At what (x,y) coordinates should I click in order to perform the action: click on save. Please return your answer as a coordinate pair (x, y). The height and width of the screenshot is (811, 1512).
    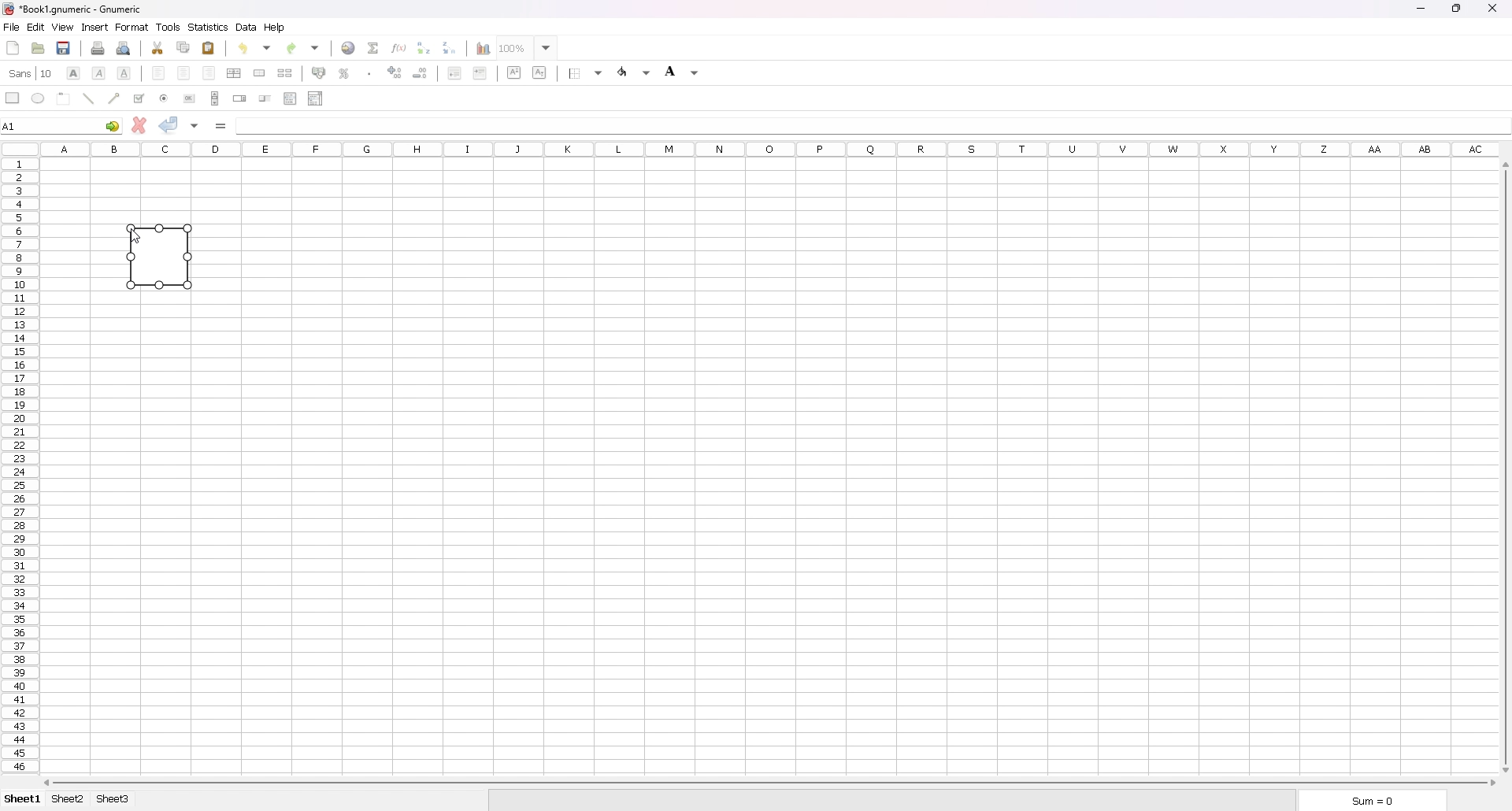
    Looking at the image, I should click on (64, 48).